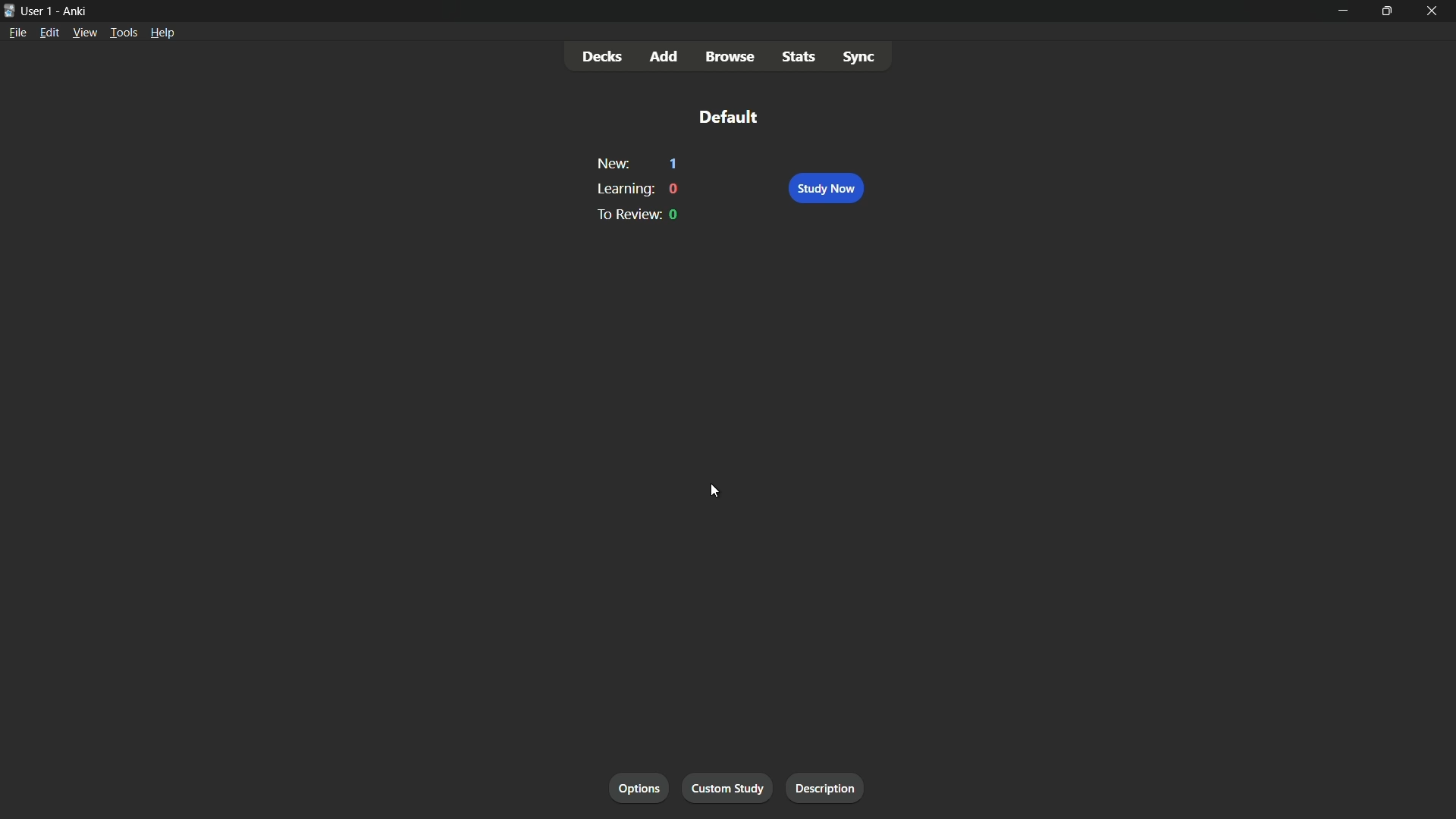 This screenshot has height=819, width=1456. Describe the element at coordinates (730, 57) in the screenshot. I see `browse` at that location.